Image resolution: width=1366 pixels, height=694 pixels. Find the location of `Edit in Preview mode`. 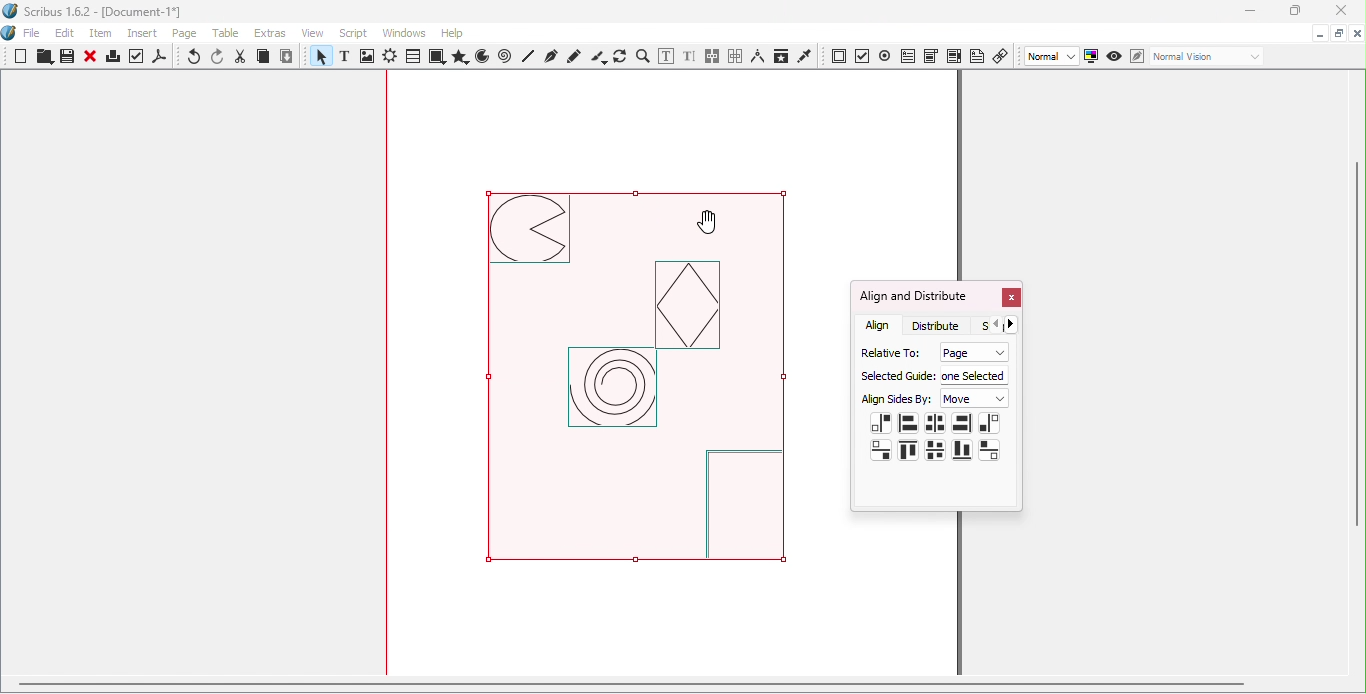

Edit in Preview mode is located at coordinates (1136, 55).